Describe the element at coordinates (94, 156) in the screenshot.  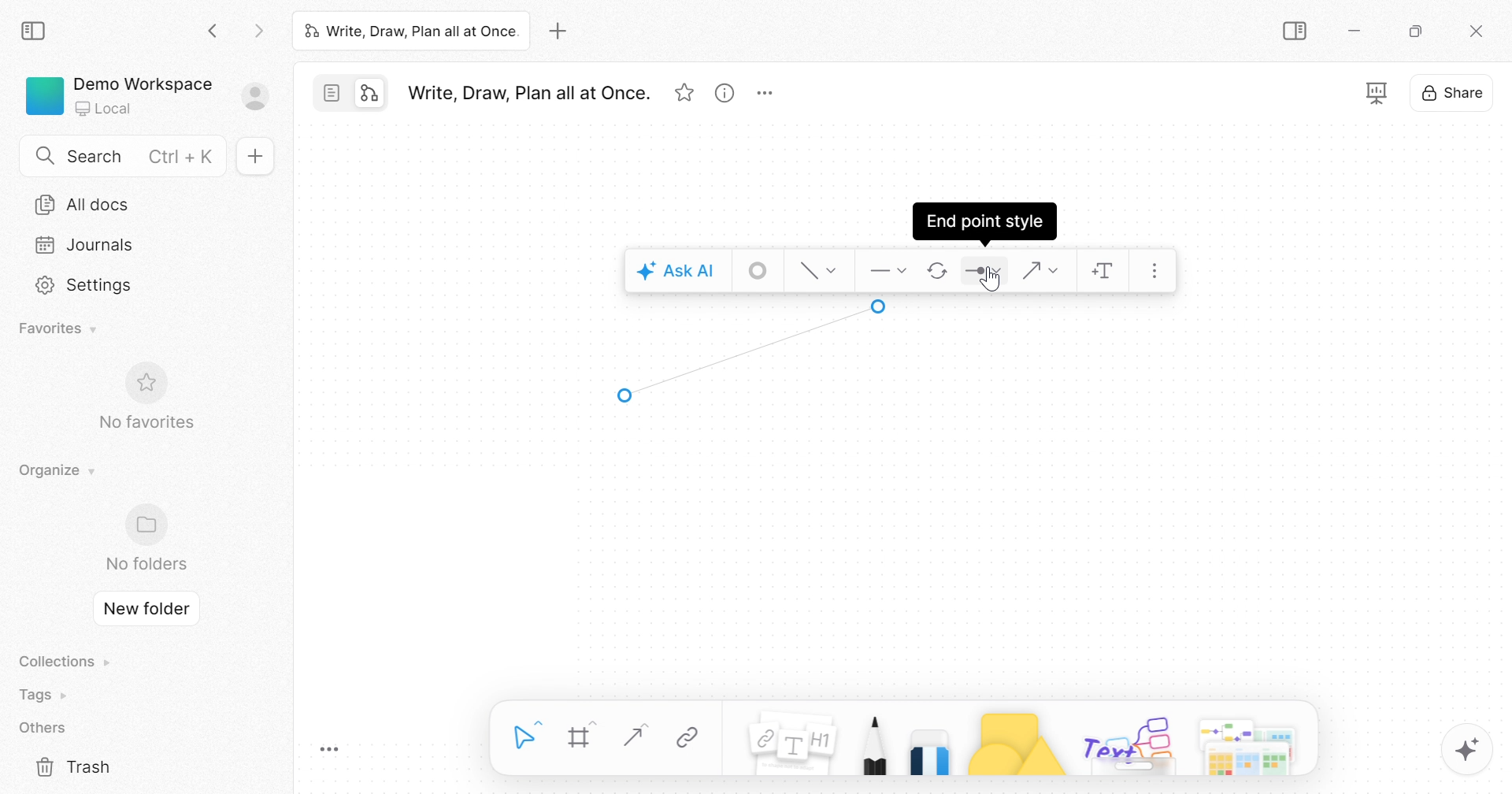
I see `Search` at that location.